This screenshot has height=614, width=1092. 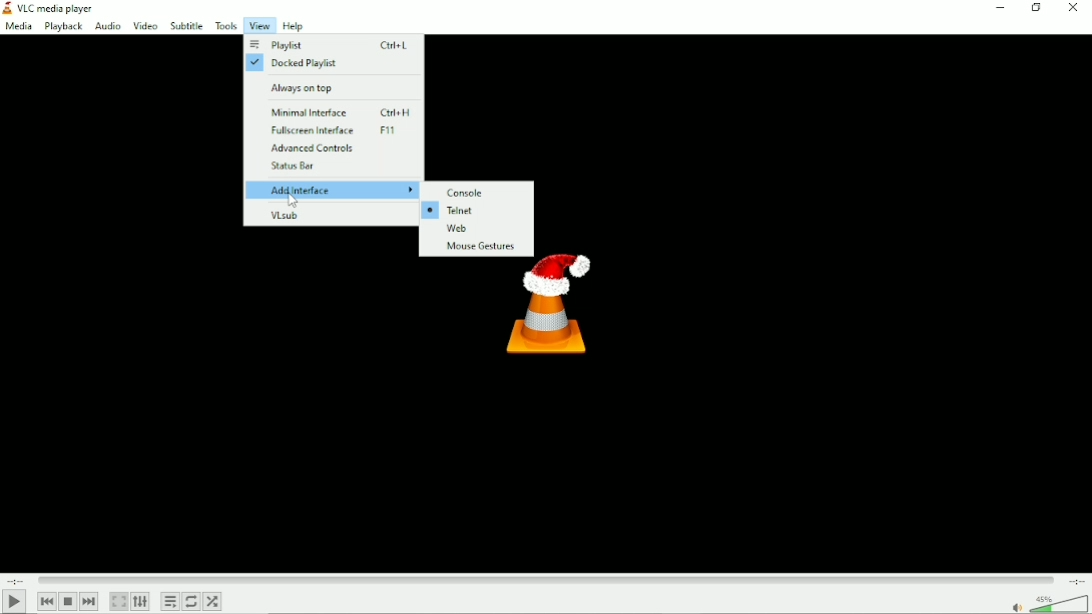 I want to click on cursor, so click(x=295, y=200).